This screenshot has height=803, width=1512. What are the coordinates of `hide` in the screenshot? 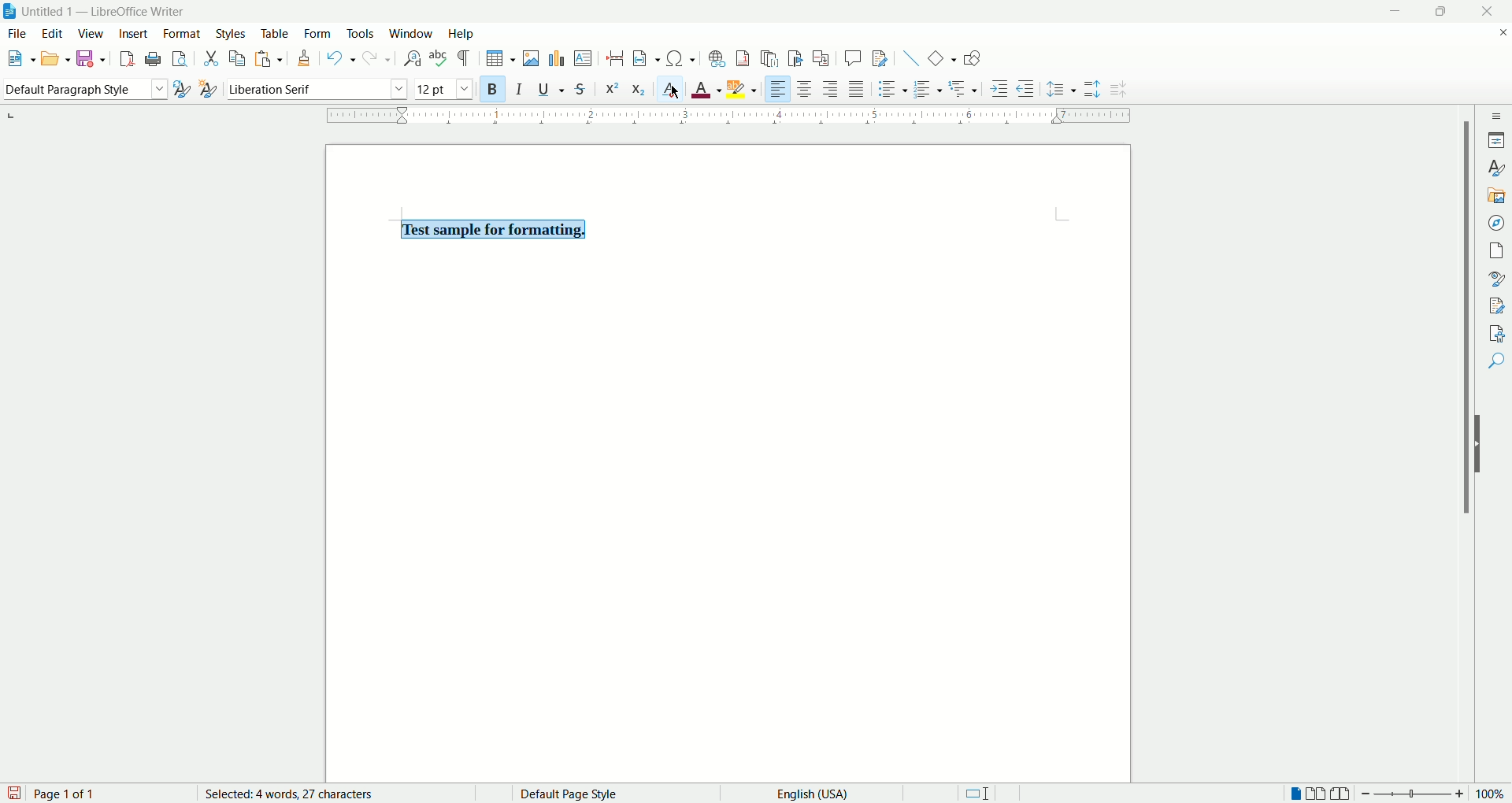 It's located at (1477, 442).